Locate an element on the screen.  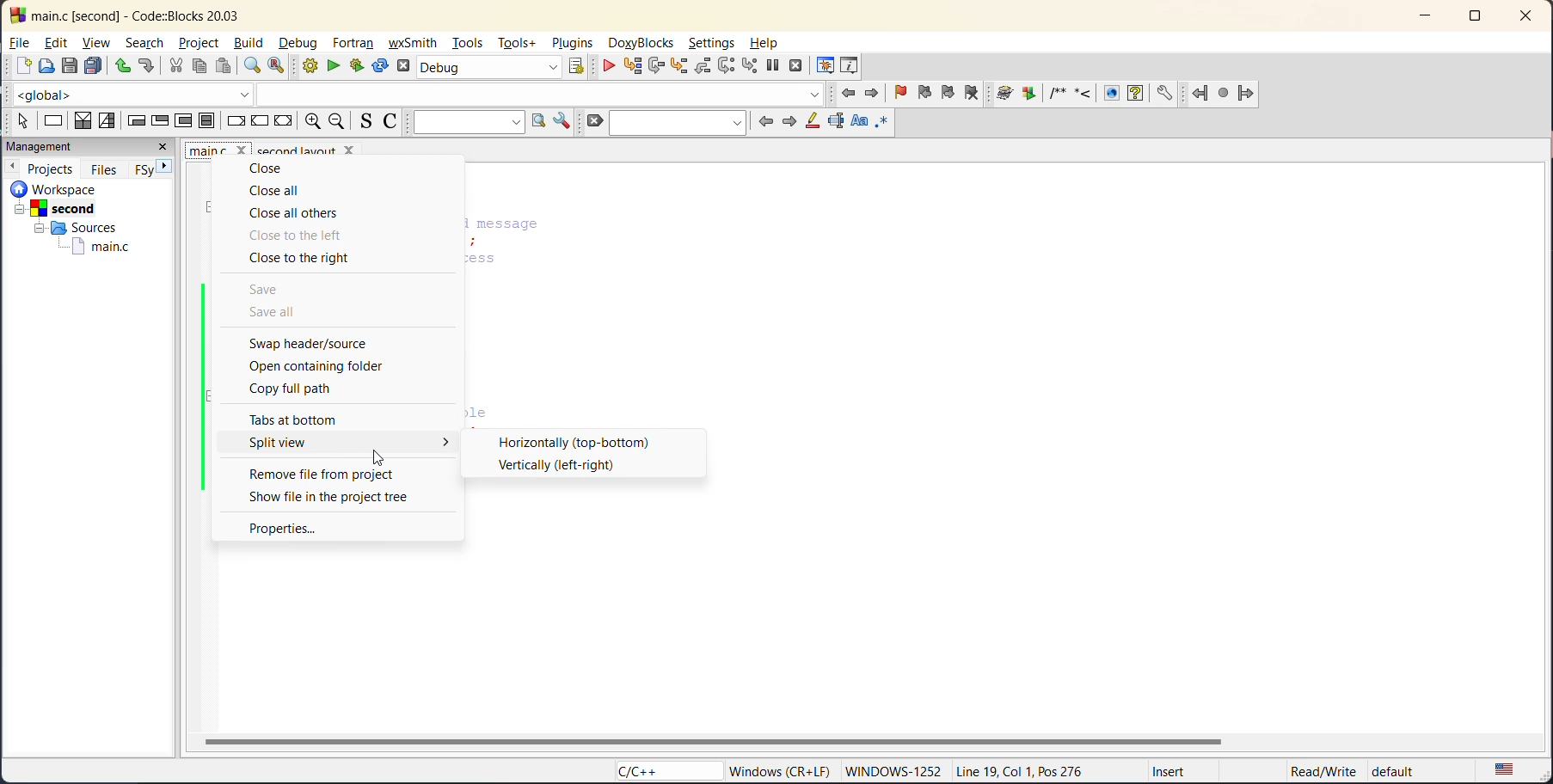
debugging windows is located at coordinates (826, 66).